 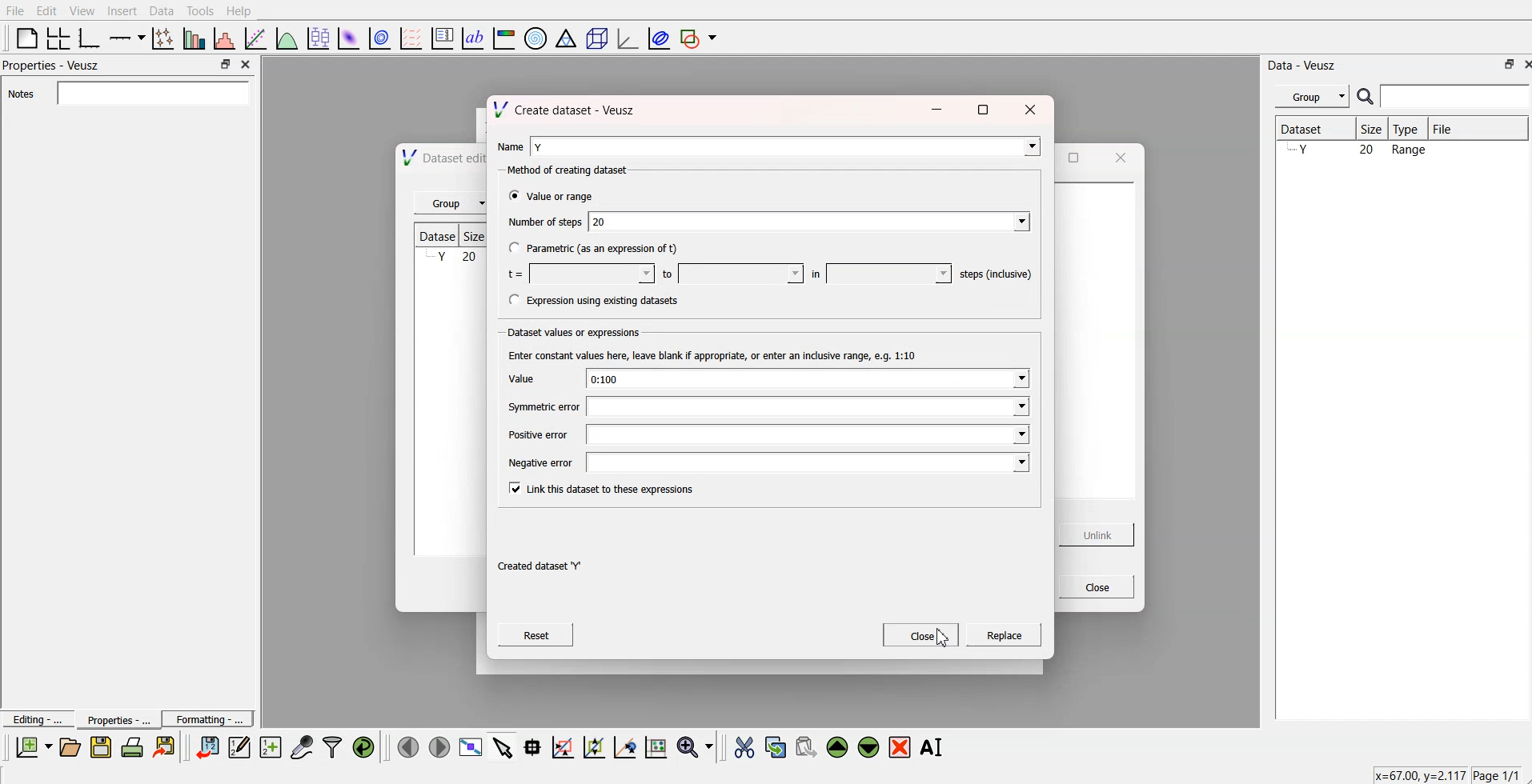 What do you see at coordinates (162, 10) in the screenshot?
I see `Data` at bounding box center [162, 10].